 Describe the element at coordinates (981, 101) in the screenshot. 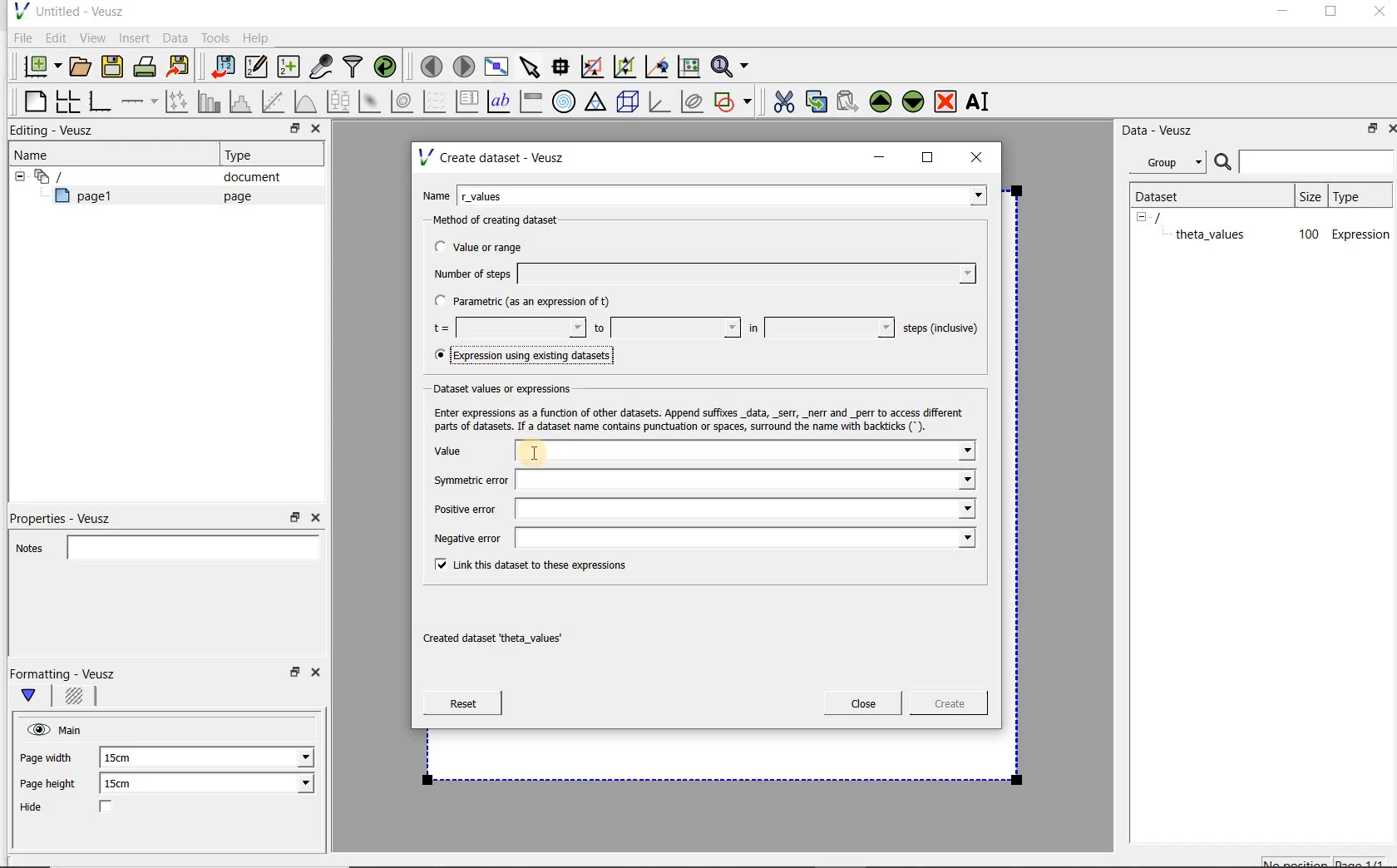

I see `rename the selected widget` at that location.